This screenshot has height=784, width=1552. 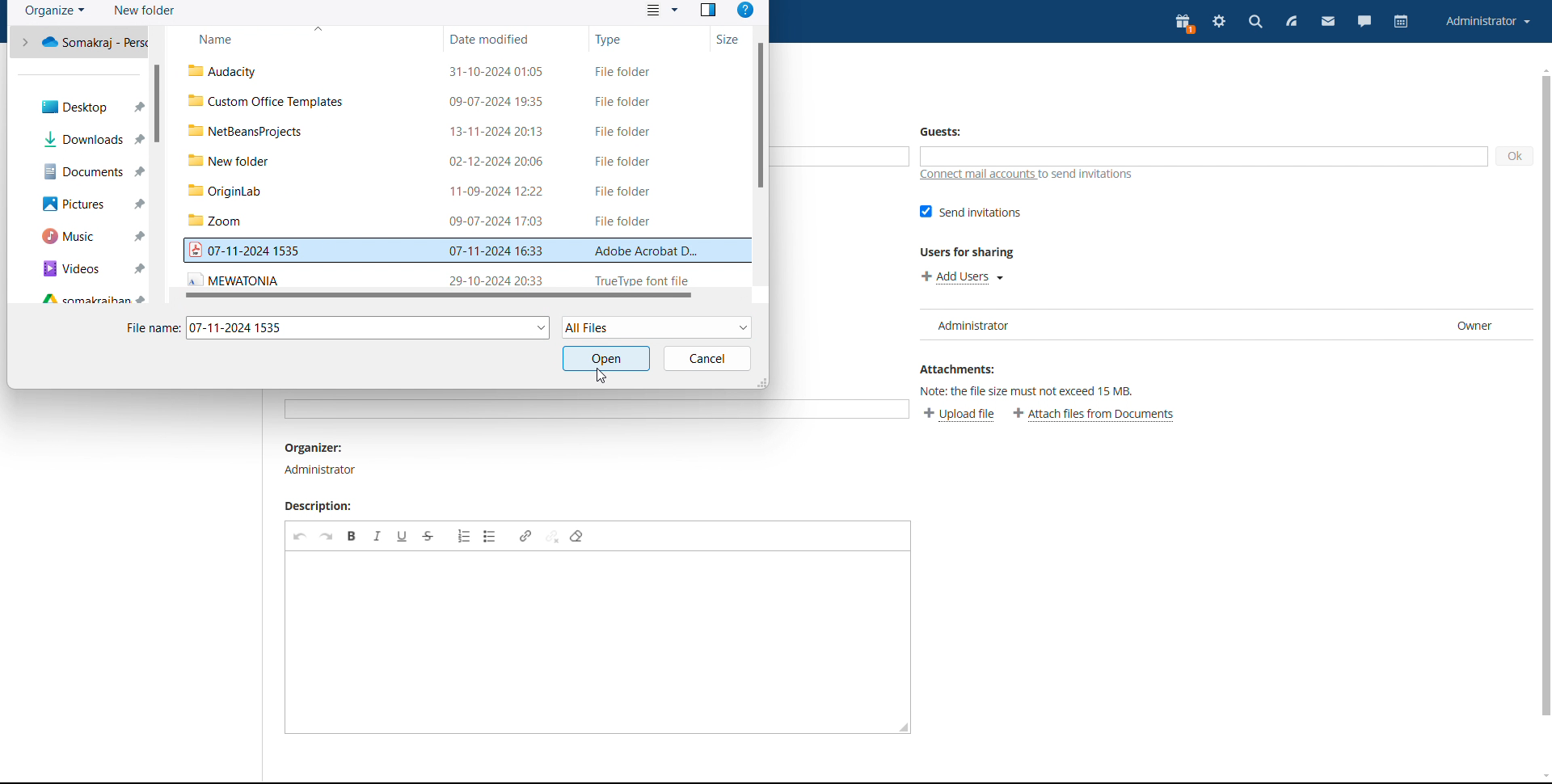 What do you see at coordinates (158, 102) in the screenshot?
I see `scrollbar` at bounding box center [158, 102].